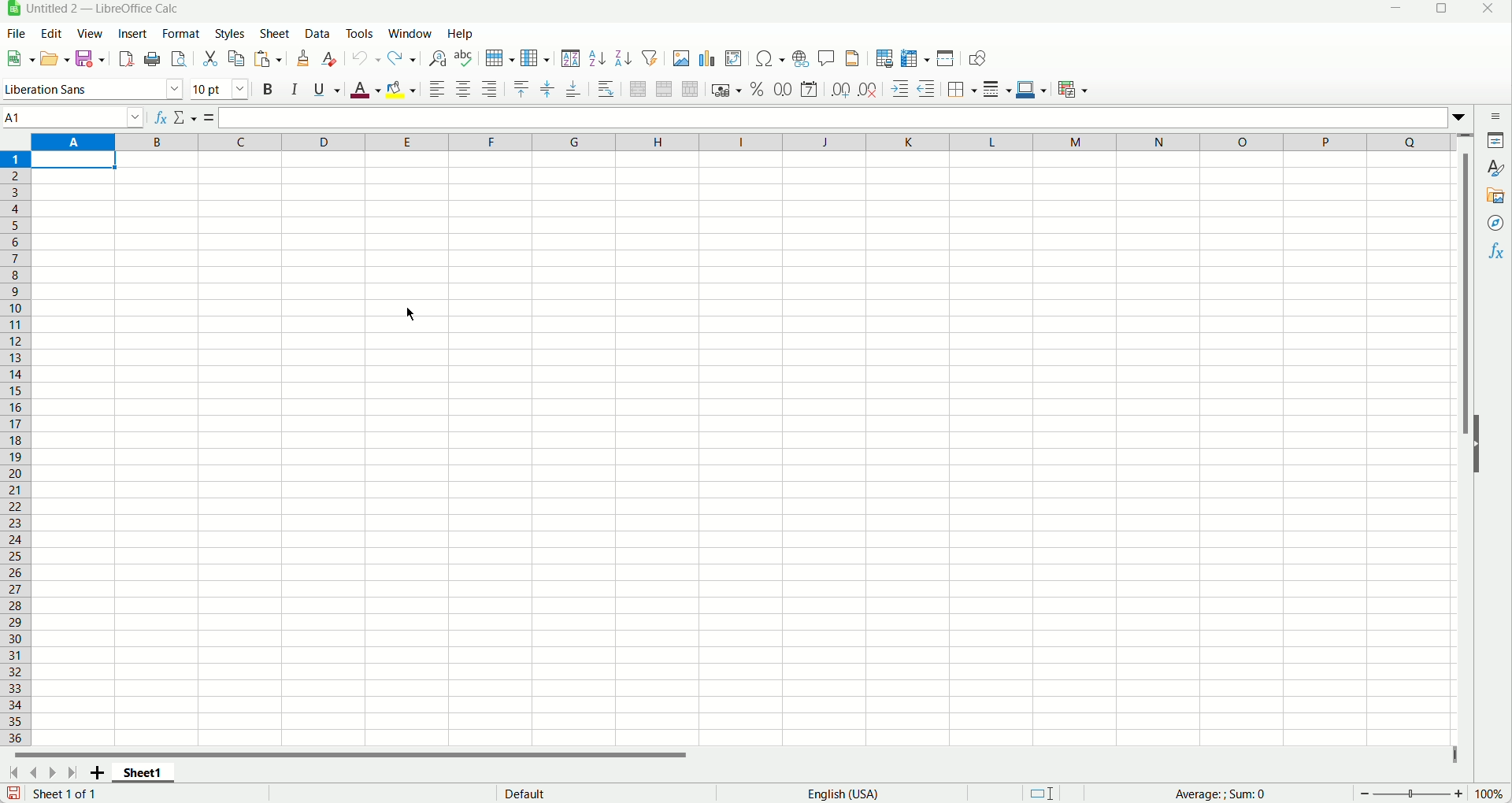 The height and width of the screenshot is (803, 1512). I want to click on Add new sheet, so click(96, 774).